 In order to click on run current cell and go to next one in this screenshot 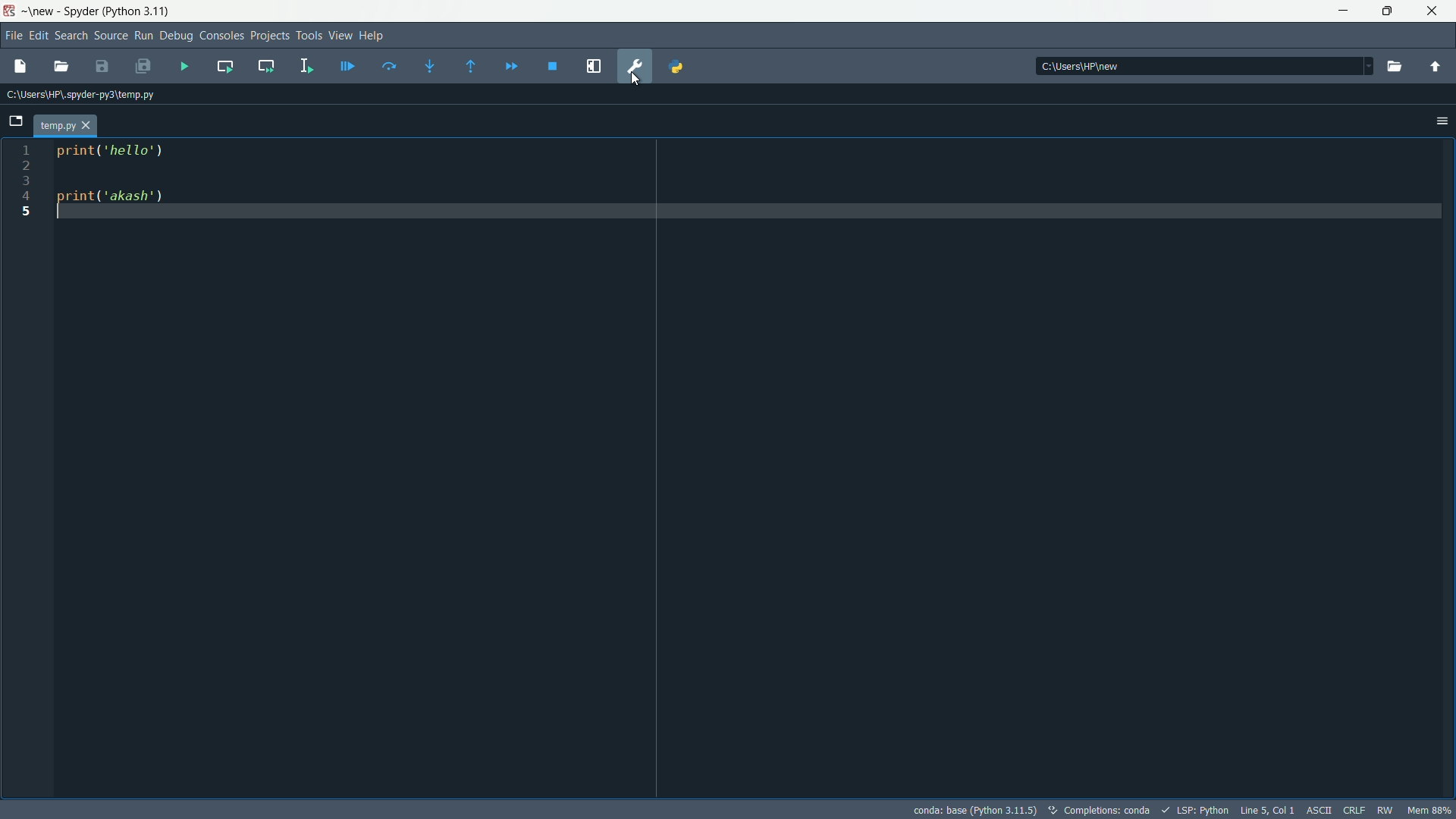, I will do `click(266, 64)`.